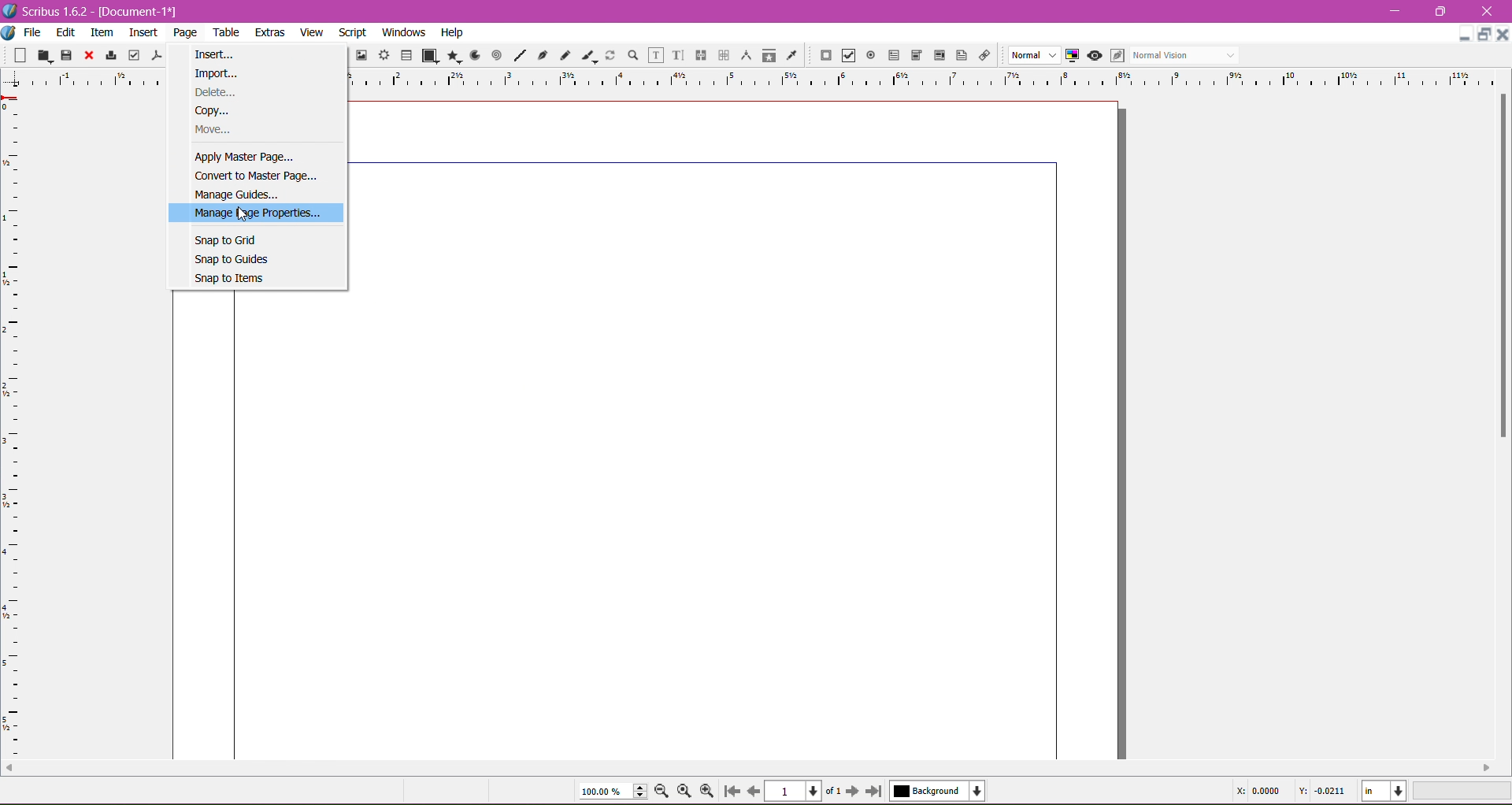 This screenshot has width=1512, height=805. Describe the element at coordinates (606, 792) in the screenshot. I see `Current Zoom Level` at that location.